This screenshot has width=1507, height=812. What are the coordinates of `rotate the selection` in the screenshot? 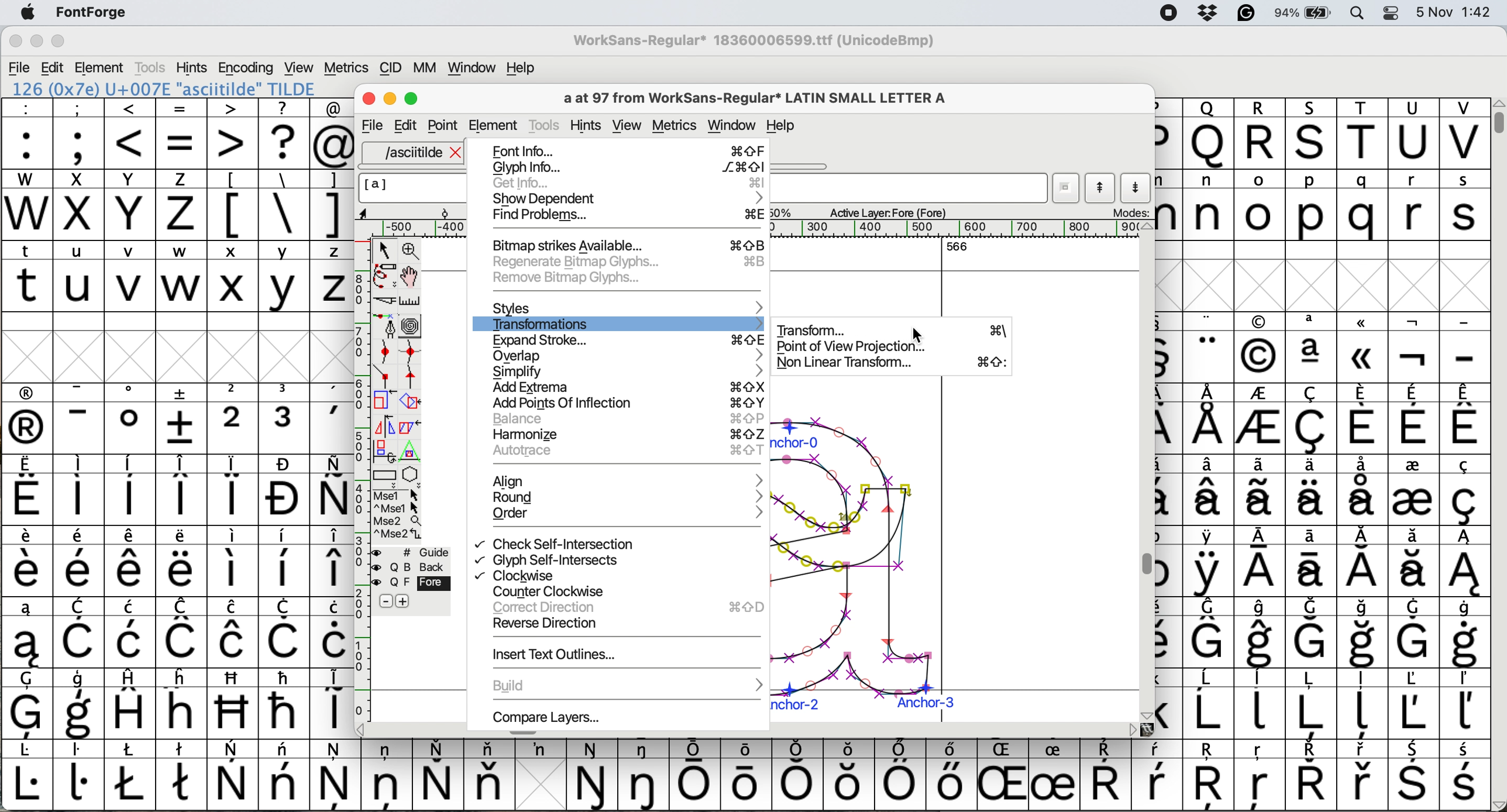 It's located at (416, 402).